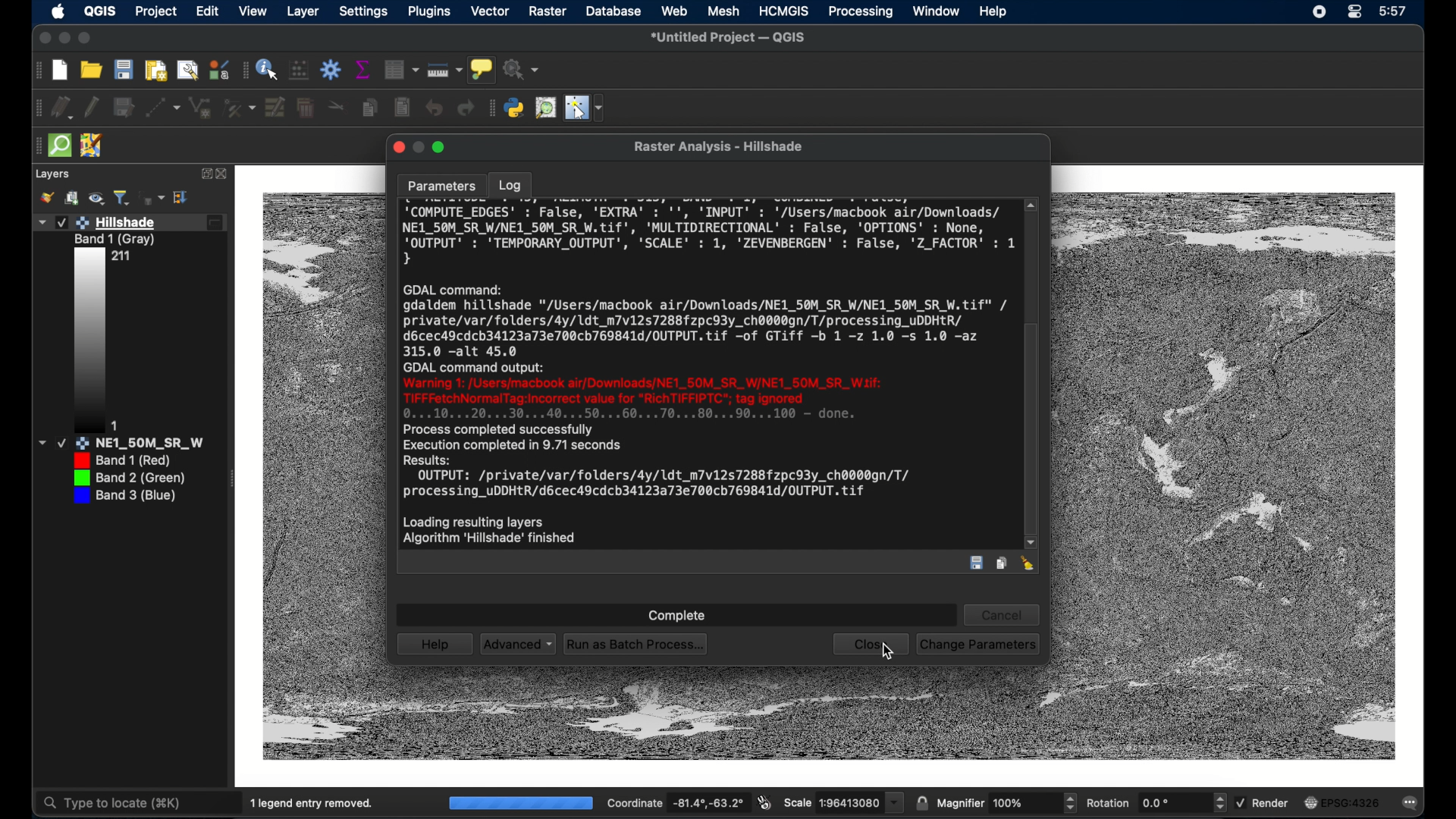 Image resolution: width=1456 pixels, height=819 pixels. What do you see at coordinates (116, 426) in the screenshot?
I see `1` at bounding box center [116, 426].